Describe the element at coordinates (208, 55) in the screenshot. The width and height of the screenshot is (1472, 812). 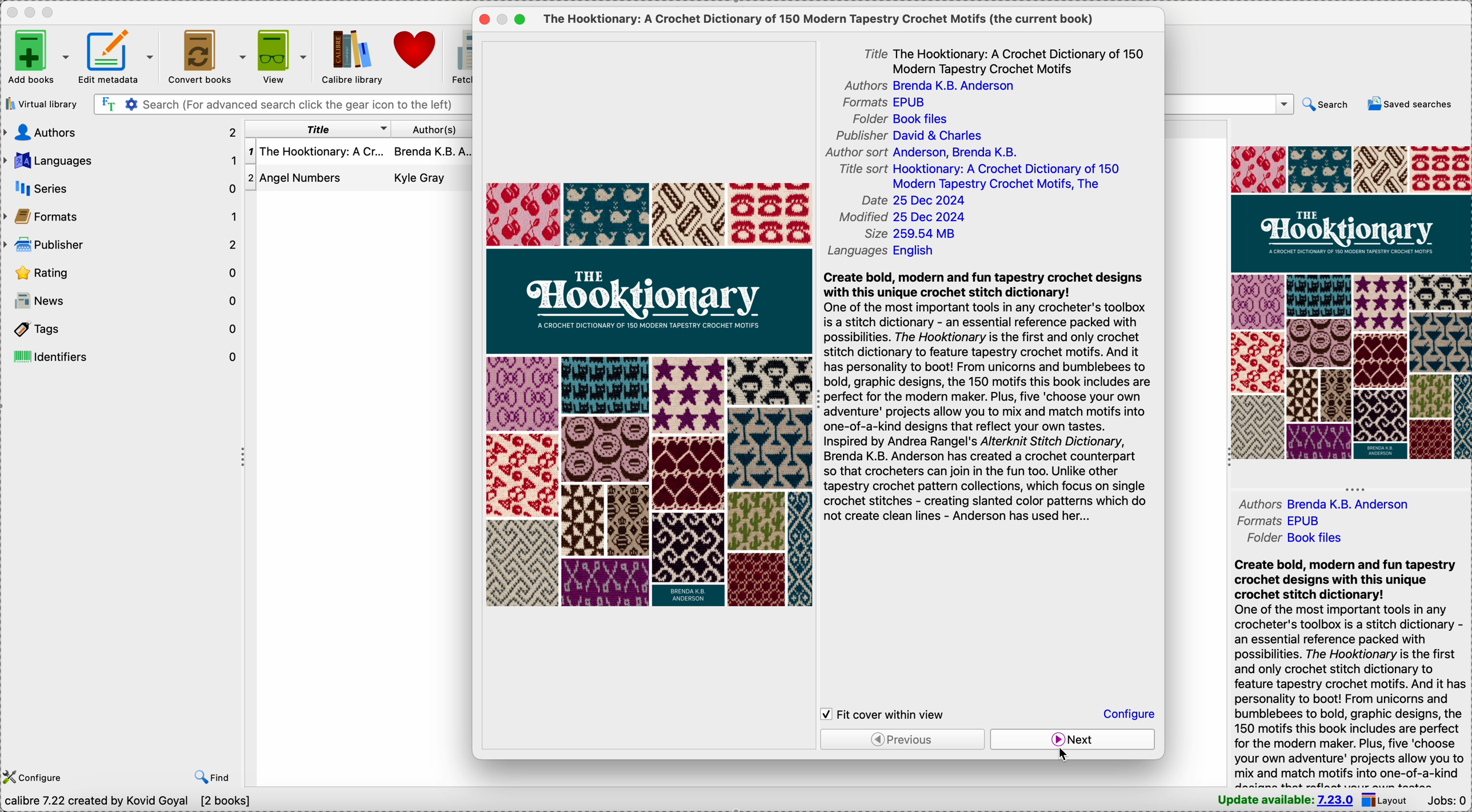
I see `convert books` at that location.